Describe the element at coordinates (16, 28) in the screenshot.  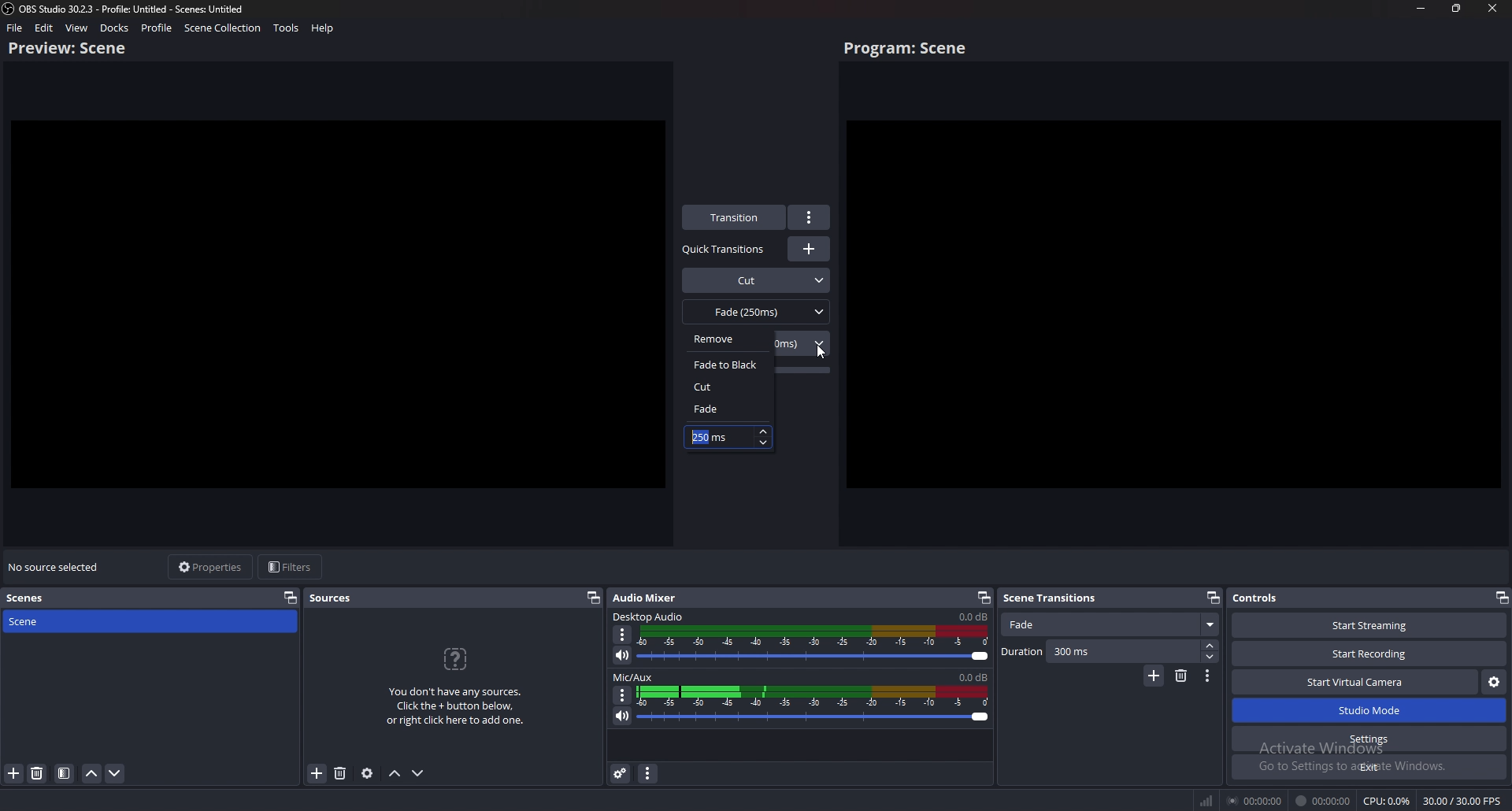
I see `file` at that location.